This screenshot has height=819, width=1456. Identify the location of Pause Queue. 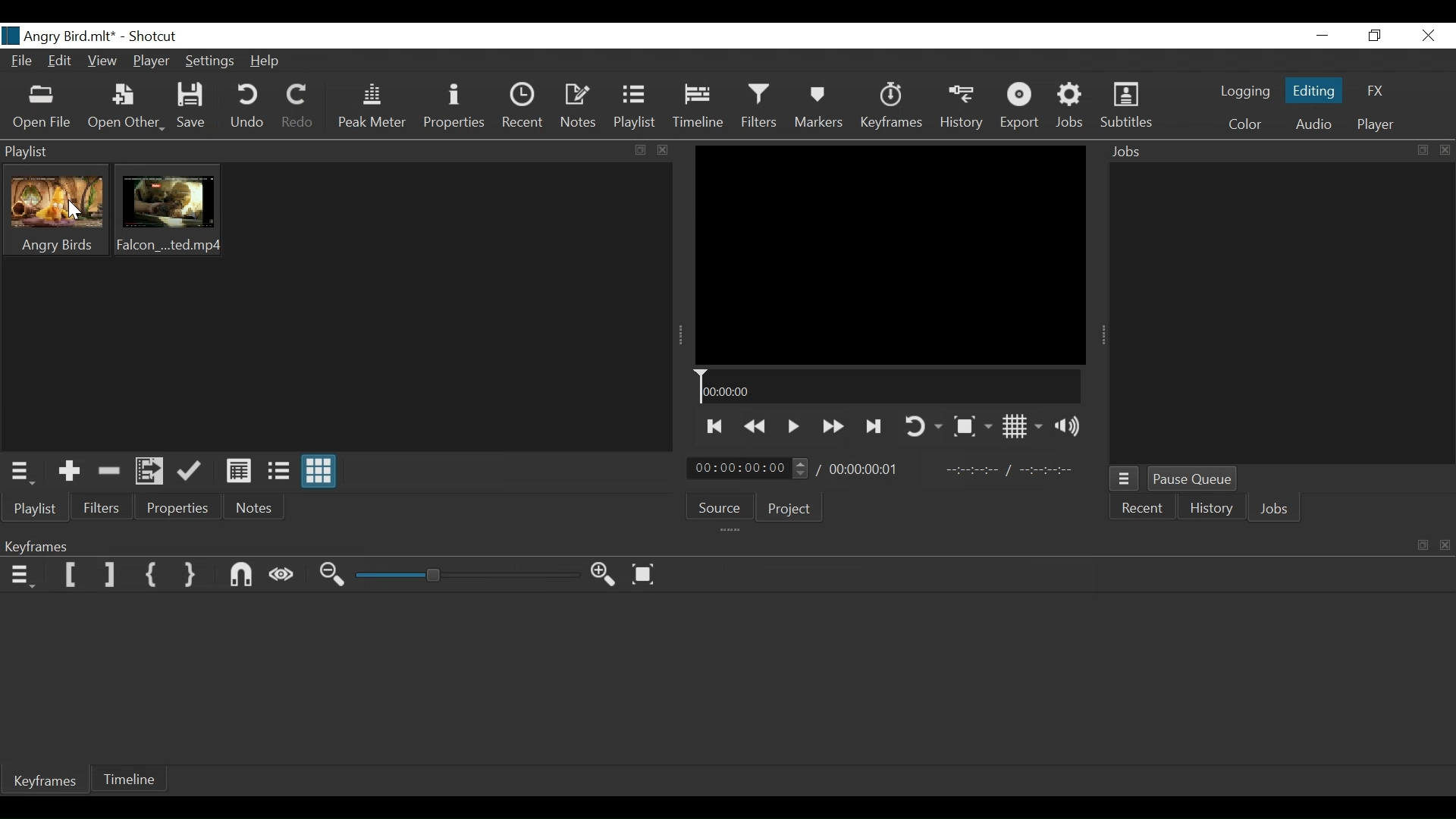
(1193, 479).